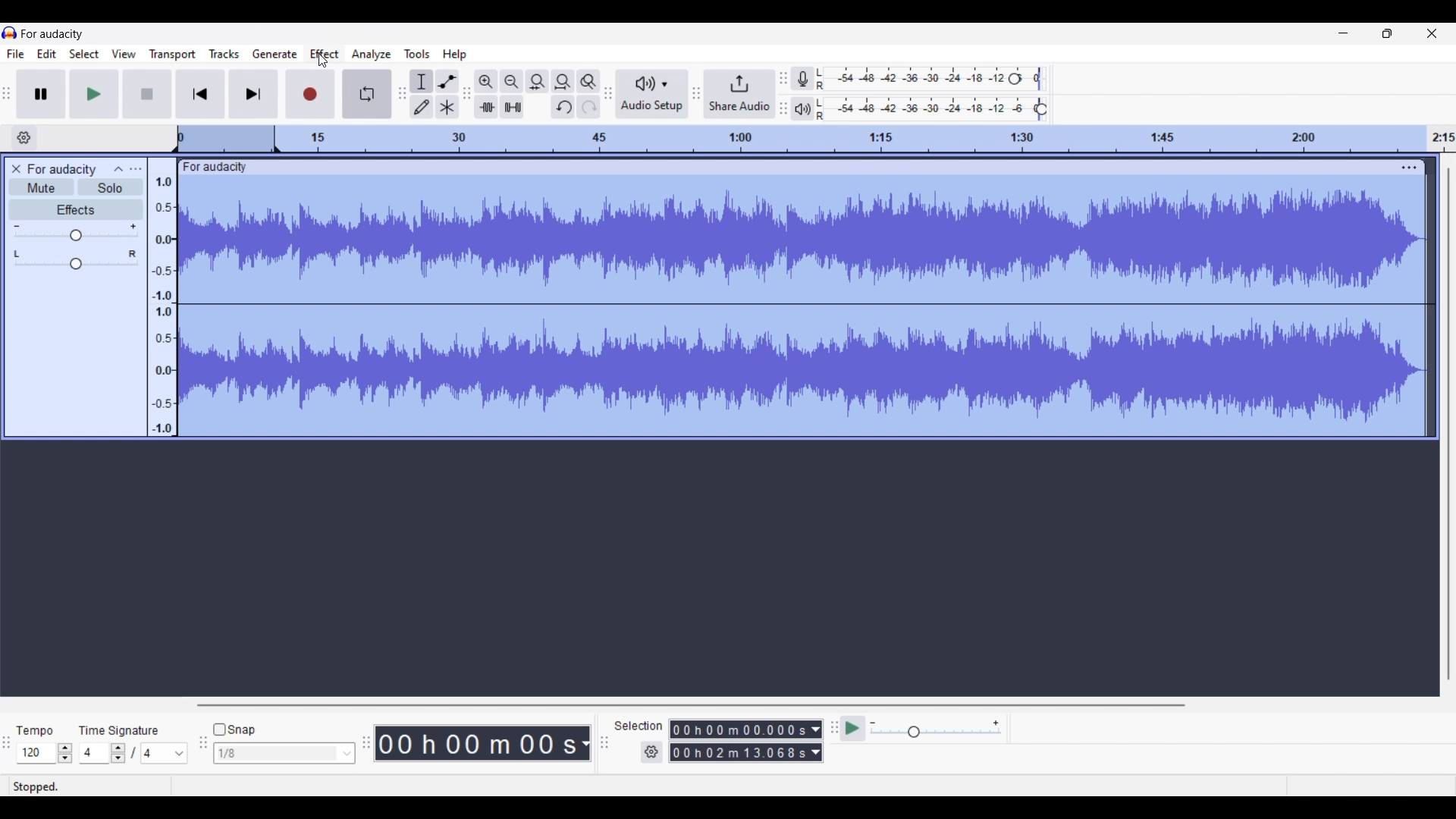  I want to click on Audio setup, so click(652, 94).